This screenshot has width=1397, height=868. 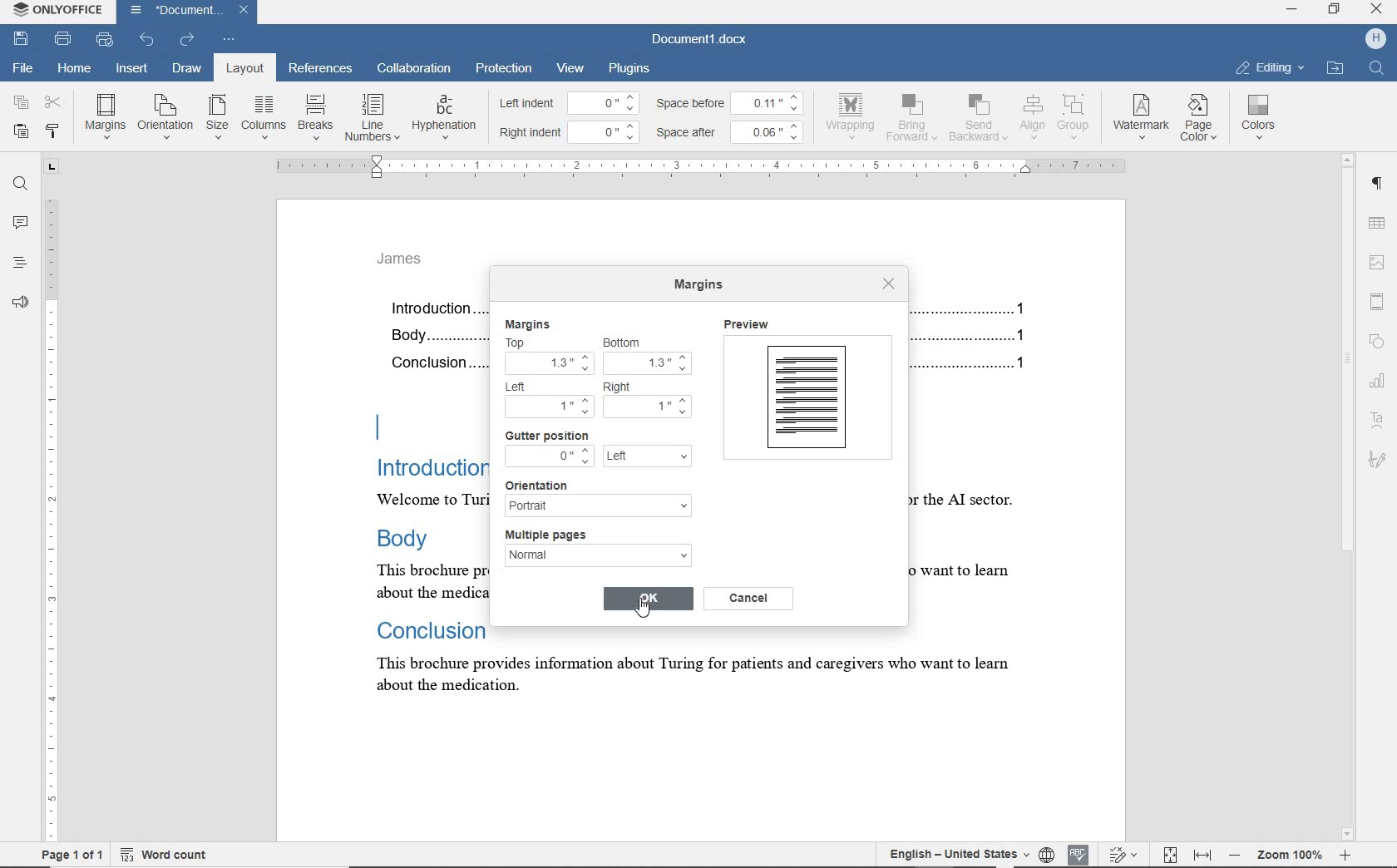 I want to click on quick print, so click(x=106, y=42).